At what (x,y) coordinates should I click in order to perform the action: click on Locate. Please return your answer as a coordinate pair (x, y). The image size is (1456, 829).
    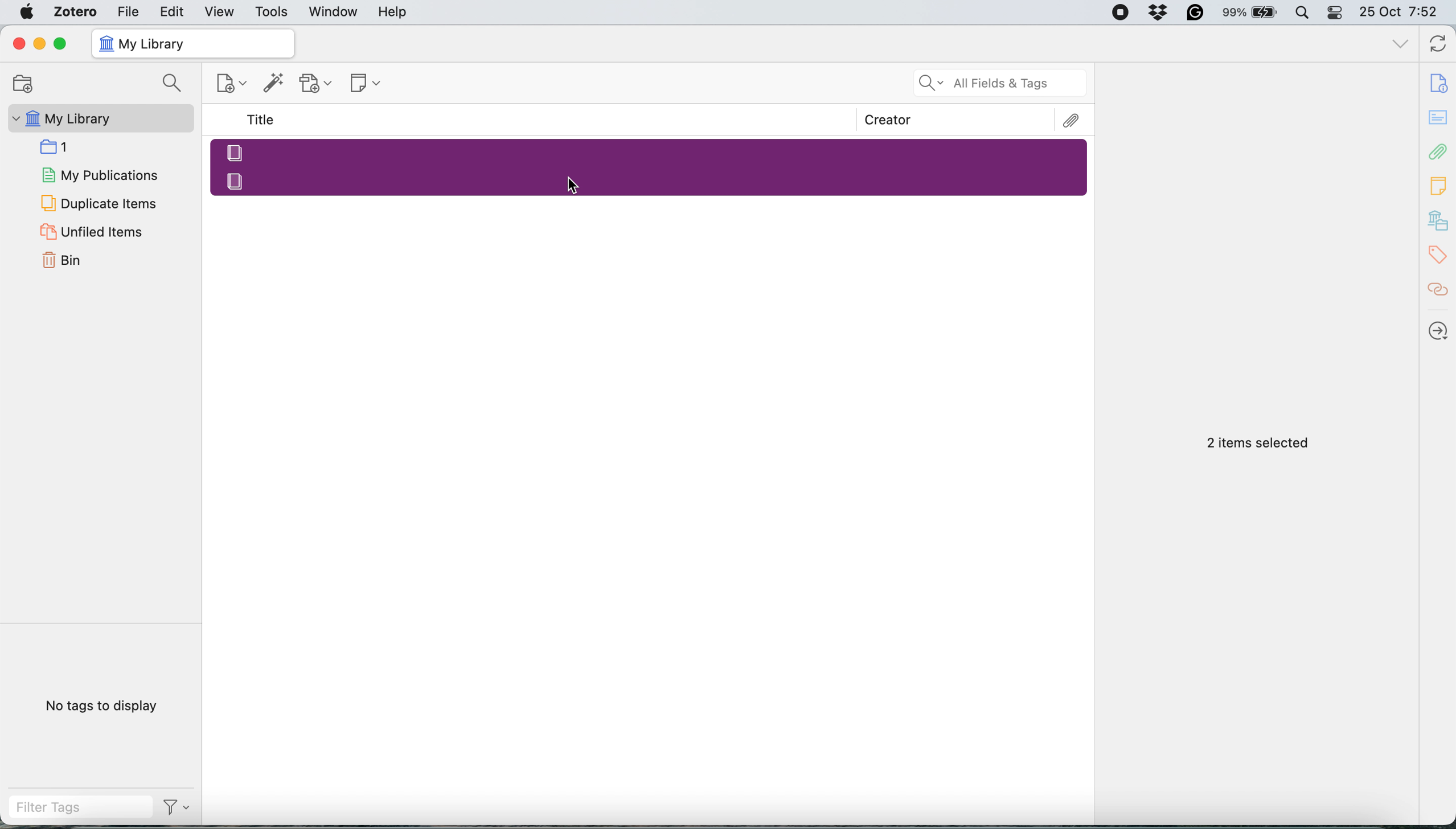
    Looking at the image, I should click on (1439, 331).